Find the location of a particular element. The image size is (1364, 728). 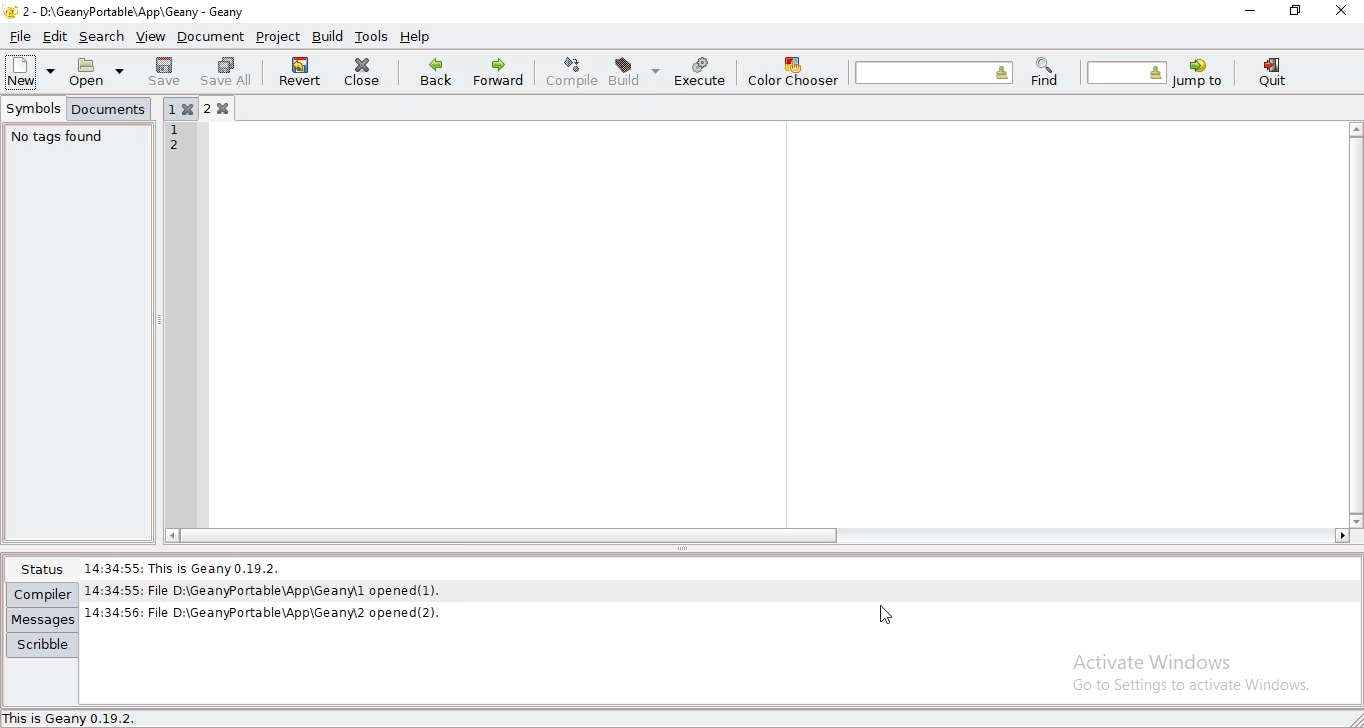

Activate Windows is located at coordinates (1159, 660).